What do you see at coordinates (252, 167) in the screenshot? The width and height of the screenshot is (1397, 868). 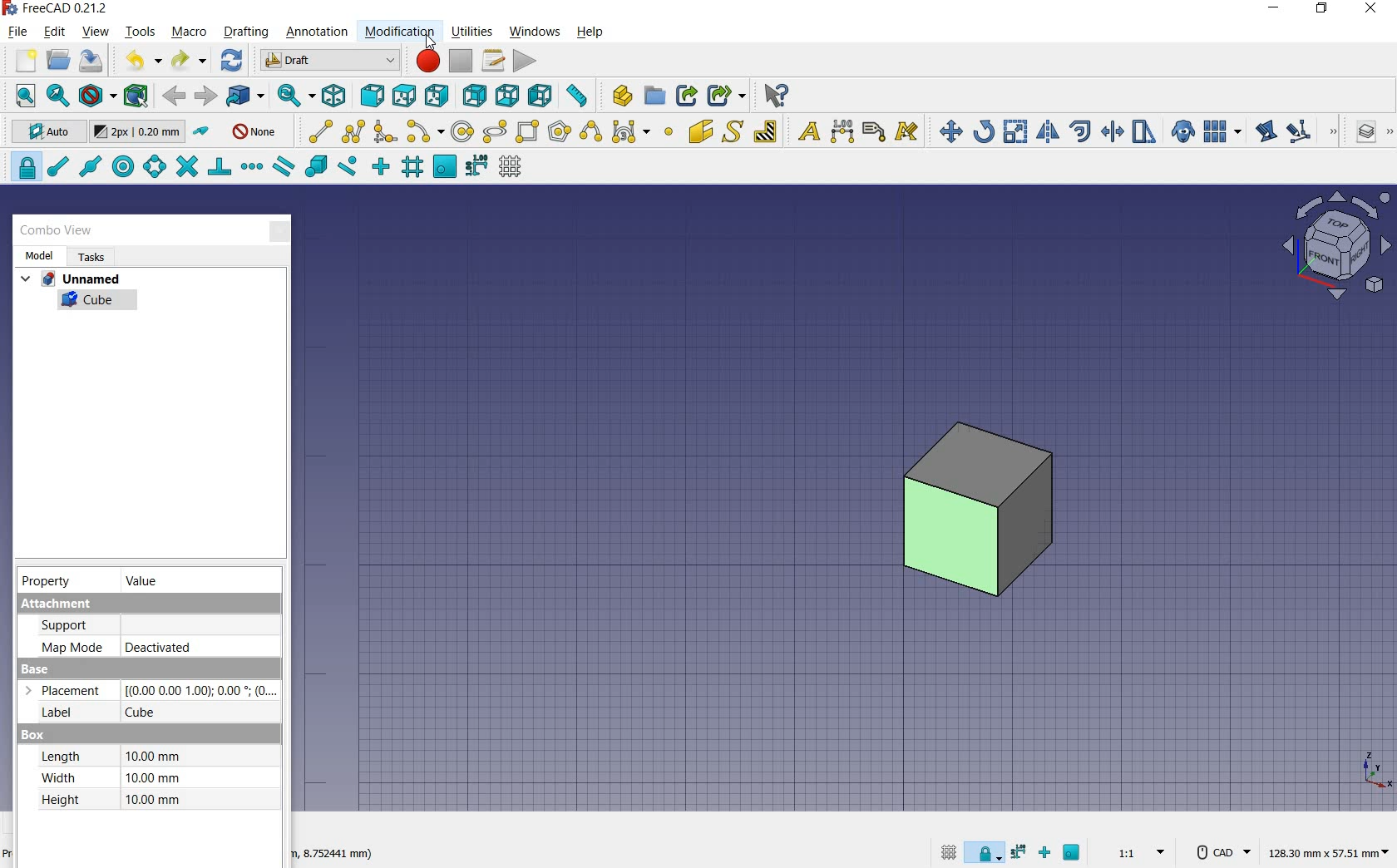 I see `snap extension` at bounding box center [252, 167].